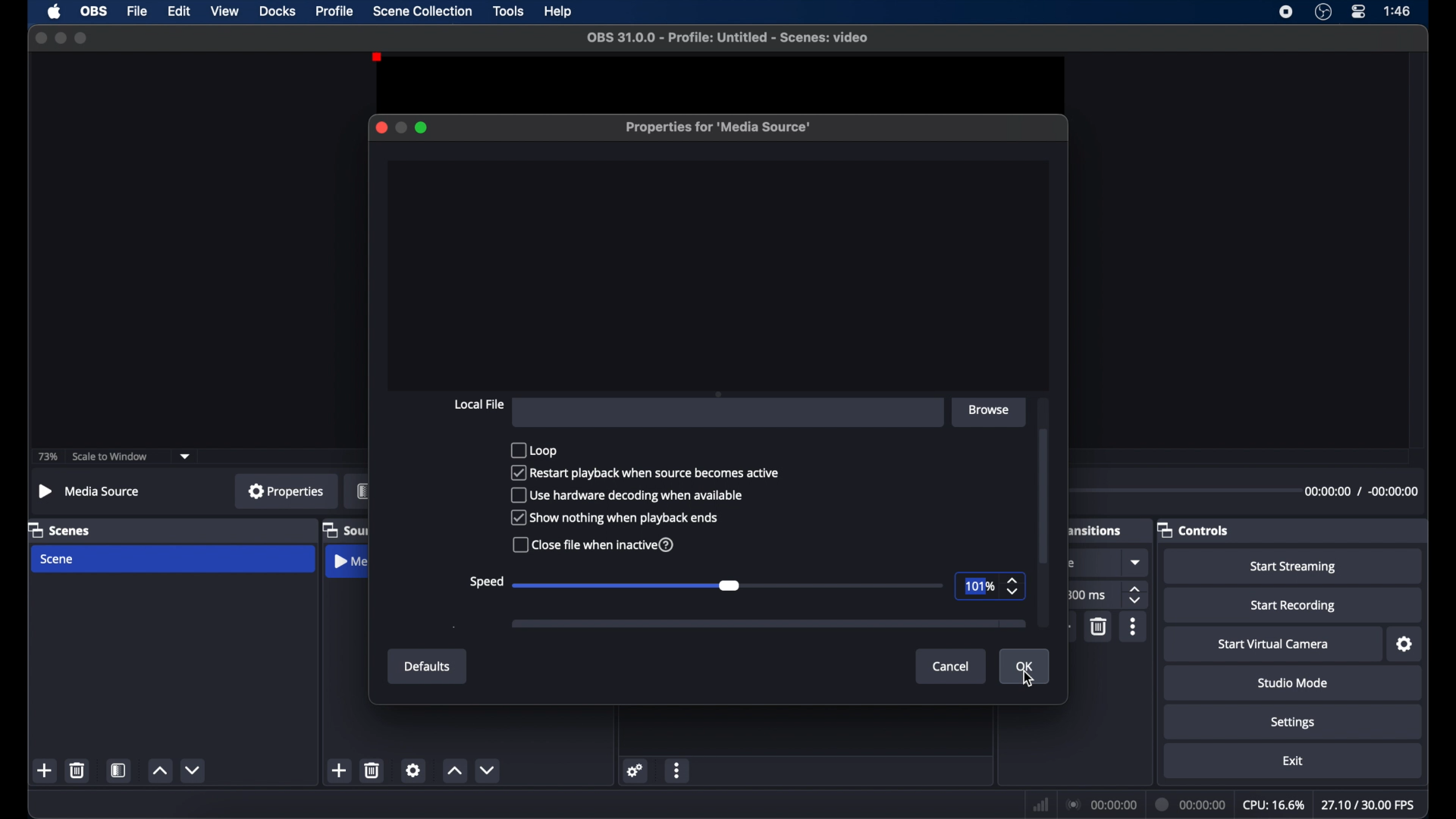 The height and width of the screenshot is (819, 1456). What do you see at coordinates (372, 770) in the screenshot?
I see `delete` at bounding box center [372, 770].